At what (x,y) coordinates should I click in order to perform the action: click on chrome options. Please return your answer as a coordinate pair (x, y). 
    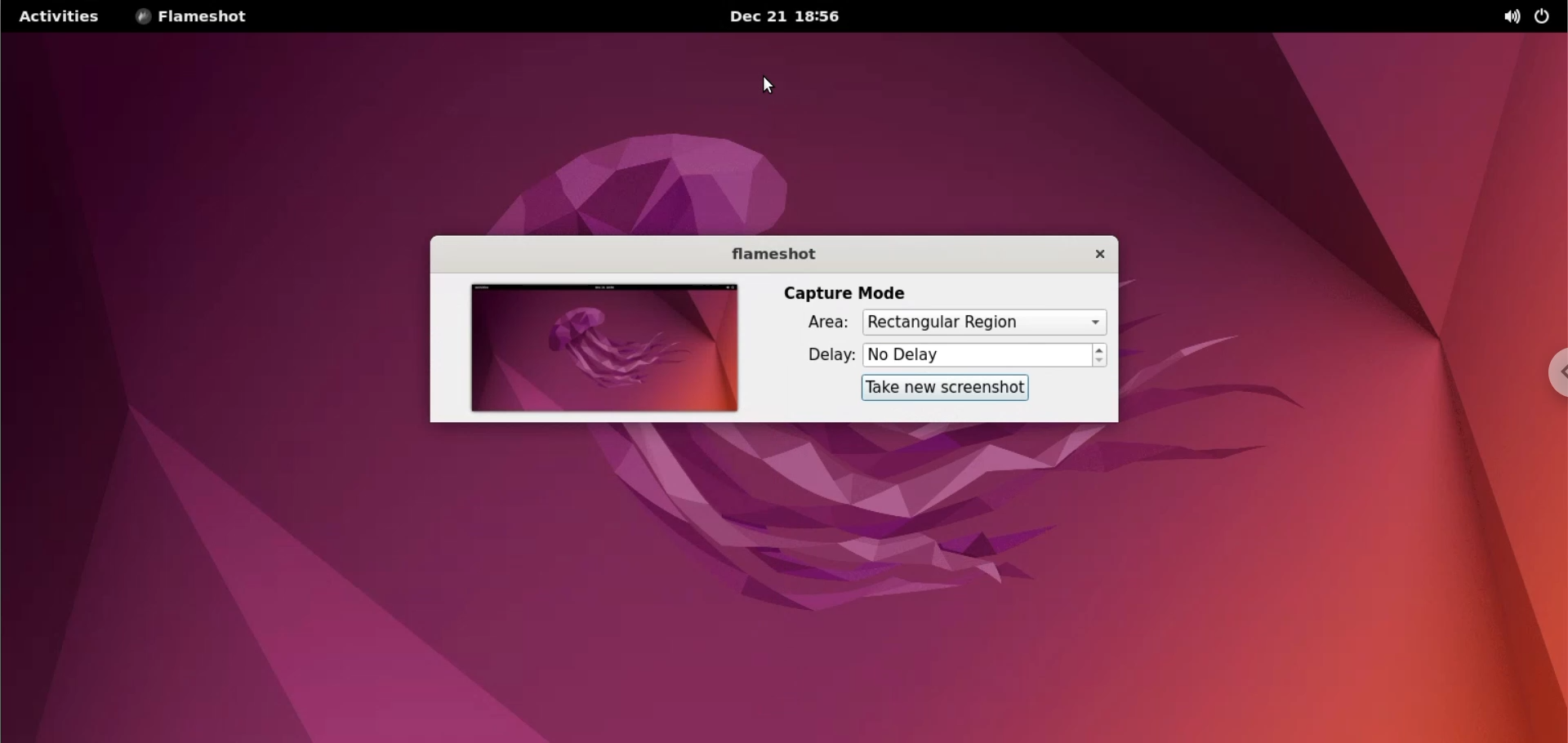
    Looking at the image, I should click on (1548, 377).